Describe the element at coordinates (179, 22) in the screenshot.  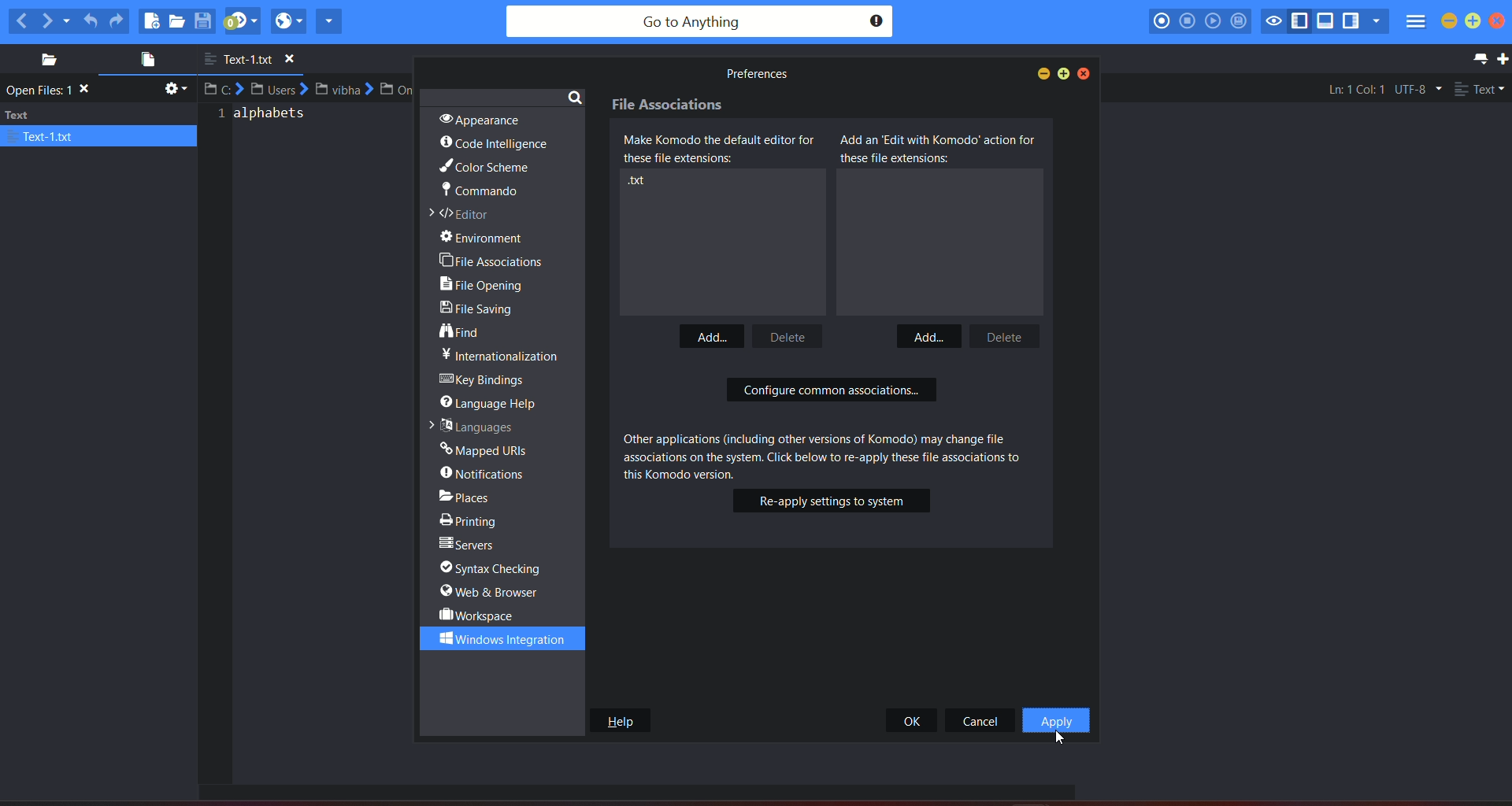
I see `open file` at that location.